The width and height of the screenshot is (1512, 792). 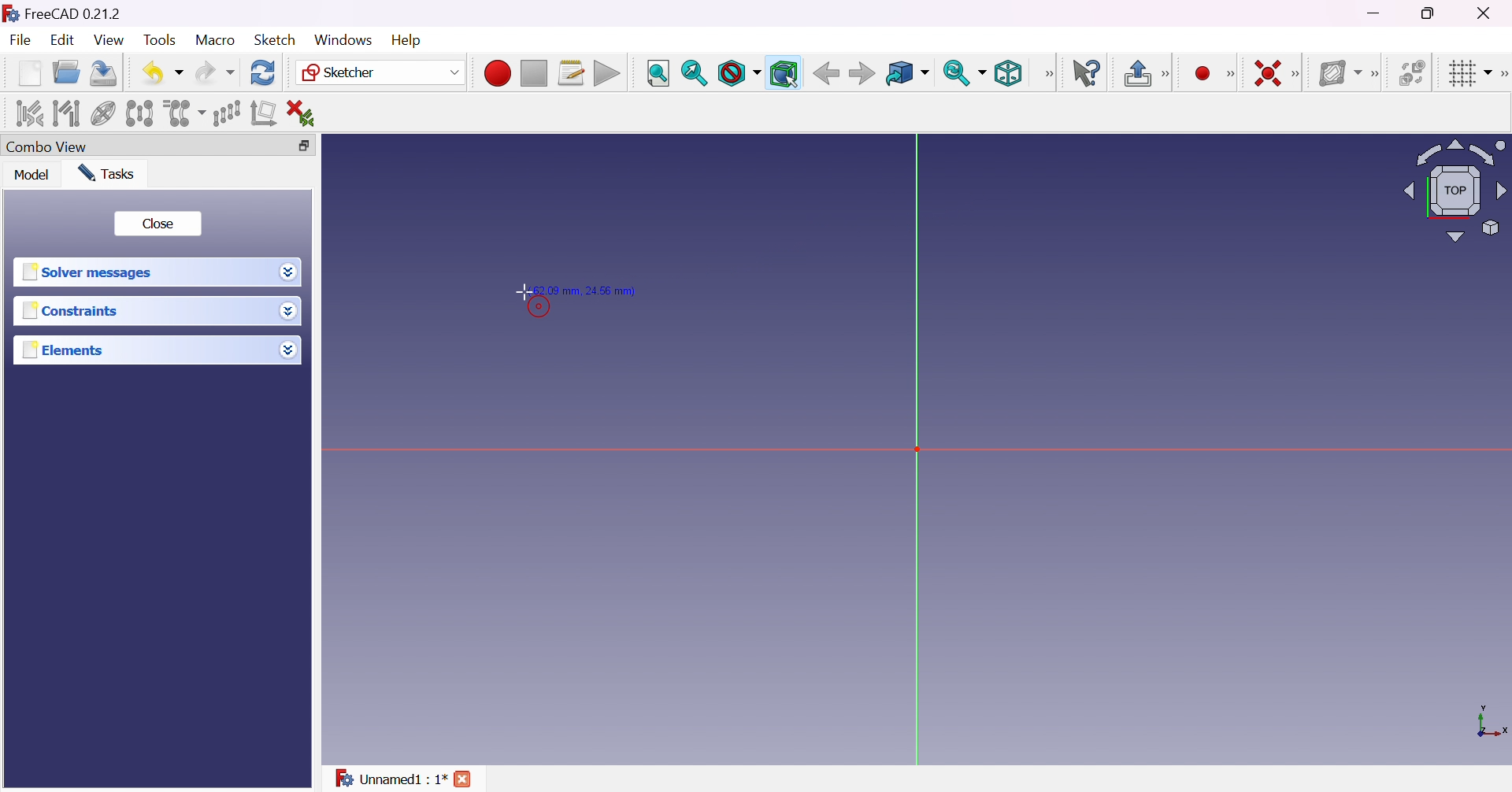 What do you see at coordinates (607, 76) in the screenshot?
I see `Execute macro` at bounding box center [607, 76].